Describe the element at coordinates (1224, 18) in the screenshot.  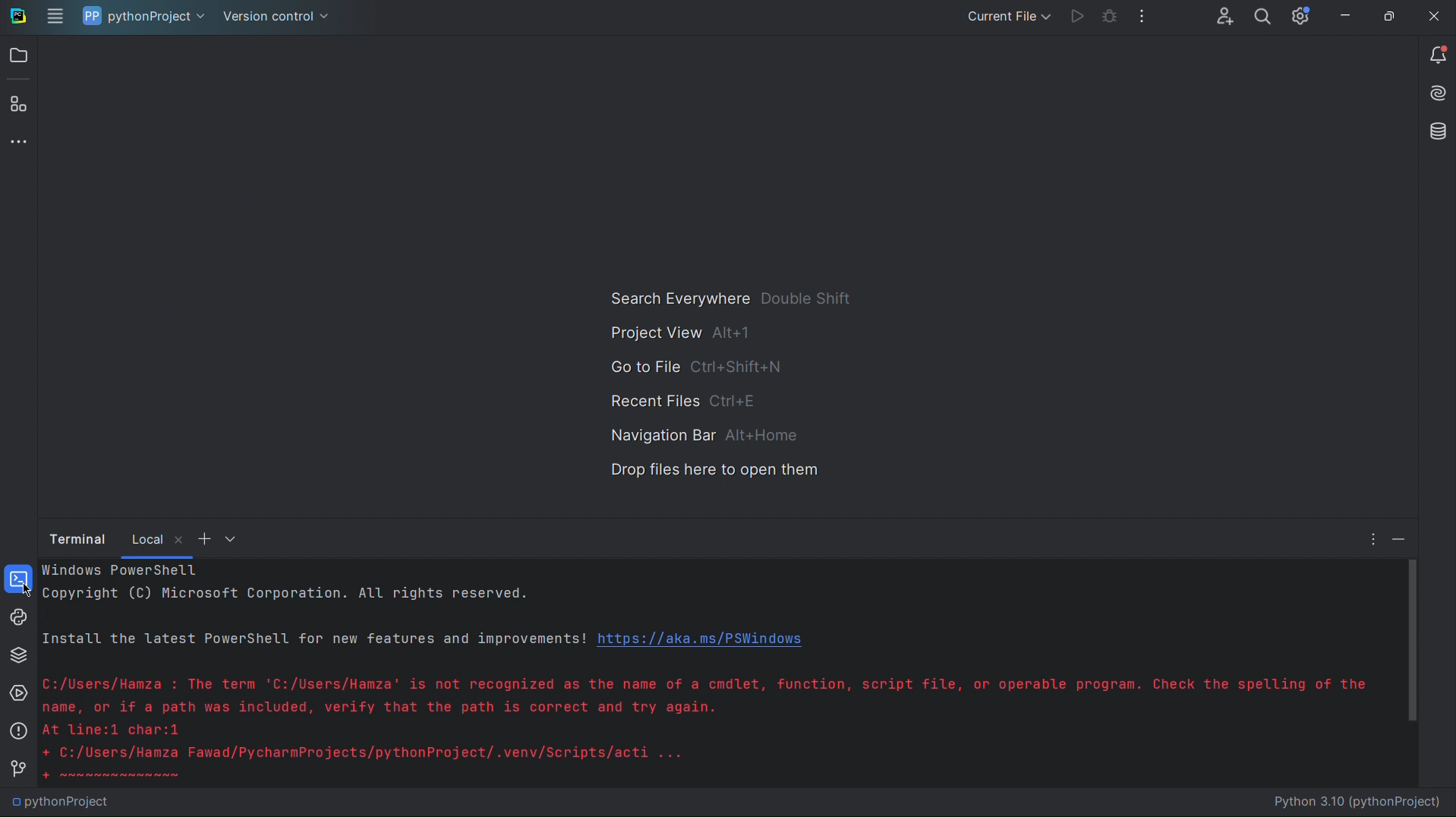
I see `Account` at that location.